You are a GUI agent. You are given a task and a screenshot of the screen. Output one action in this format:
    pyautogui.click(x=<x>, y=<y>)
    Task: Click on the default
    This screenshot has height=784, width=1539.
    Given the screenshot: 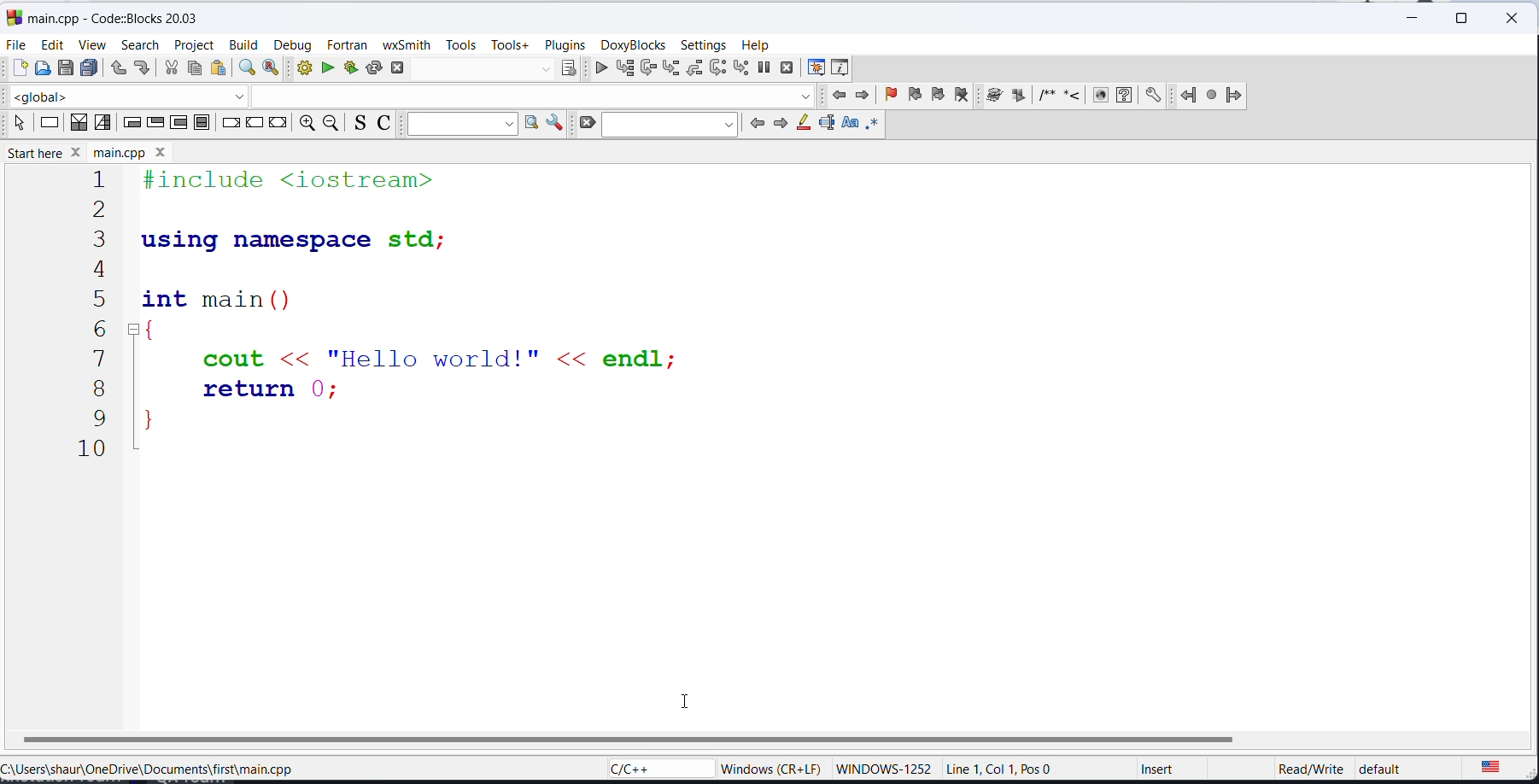 What is the action you would take?
    pyautogui.click(x=1386, y=767)
    